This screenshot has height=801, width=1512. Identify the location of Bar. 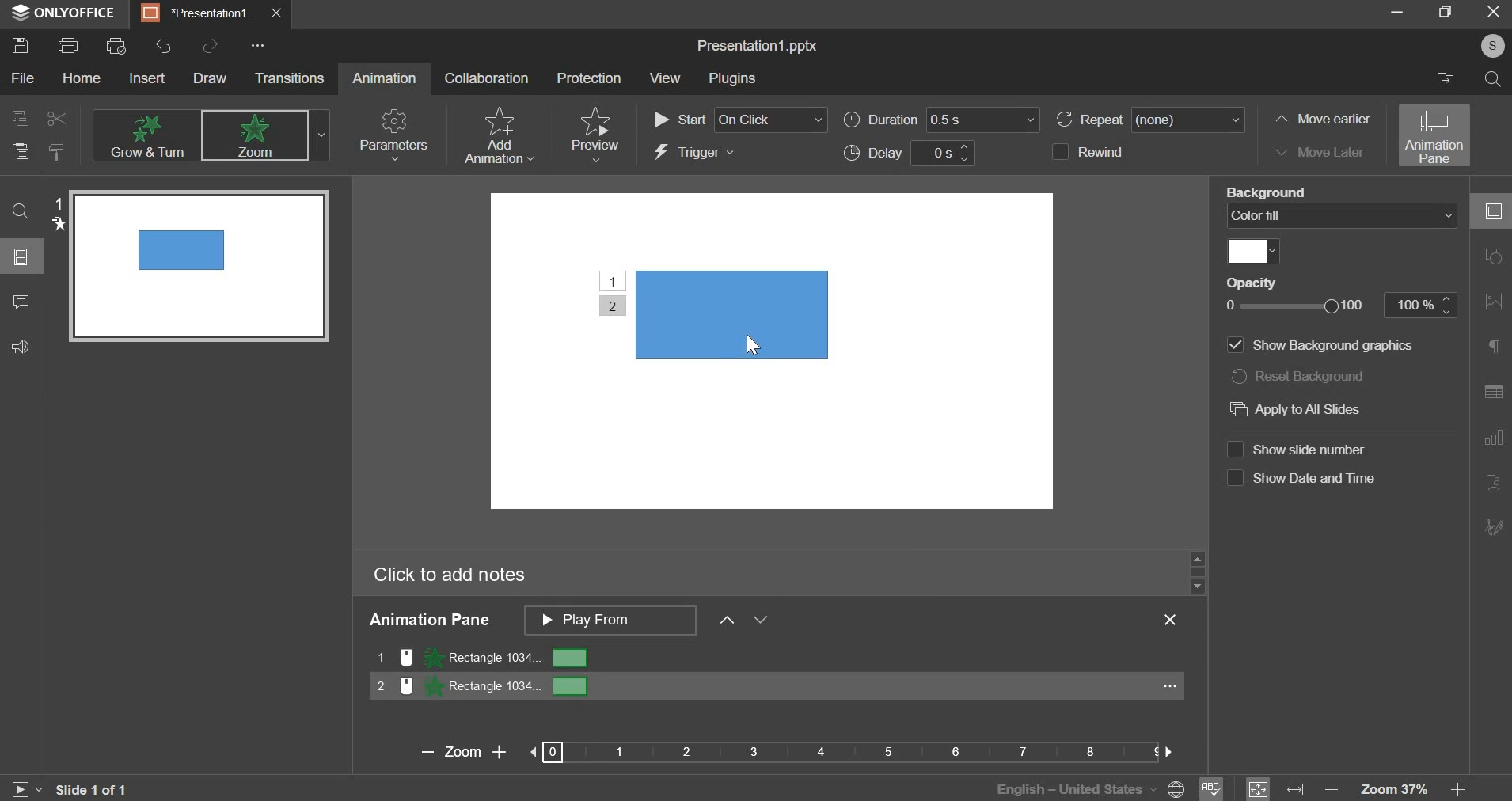
(846, 754).